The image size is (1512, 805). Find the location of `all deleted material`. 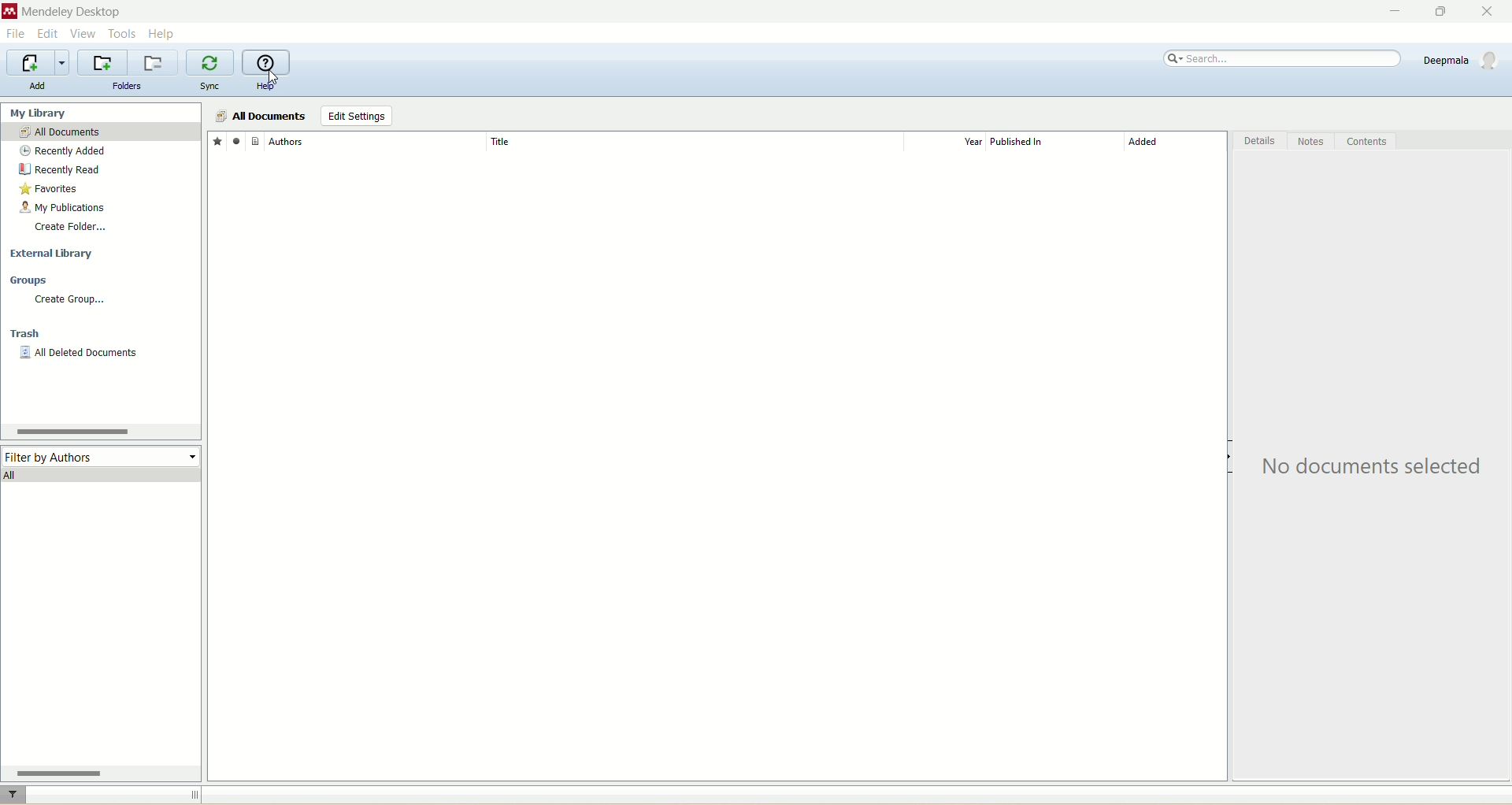

all deleted material is located at coordinates (80, 354).